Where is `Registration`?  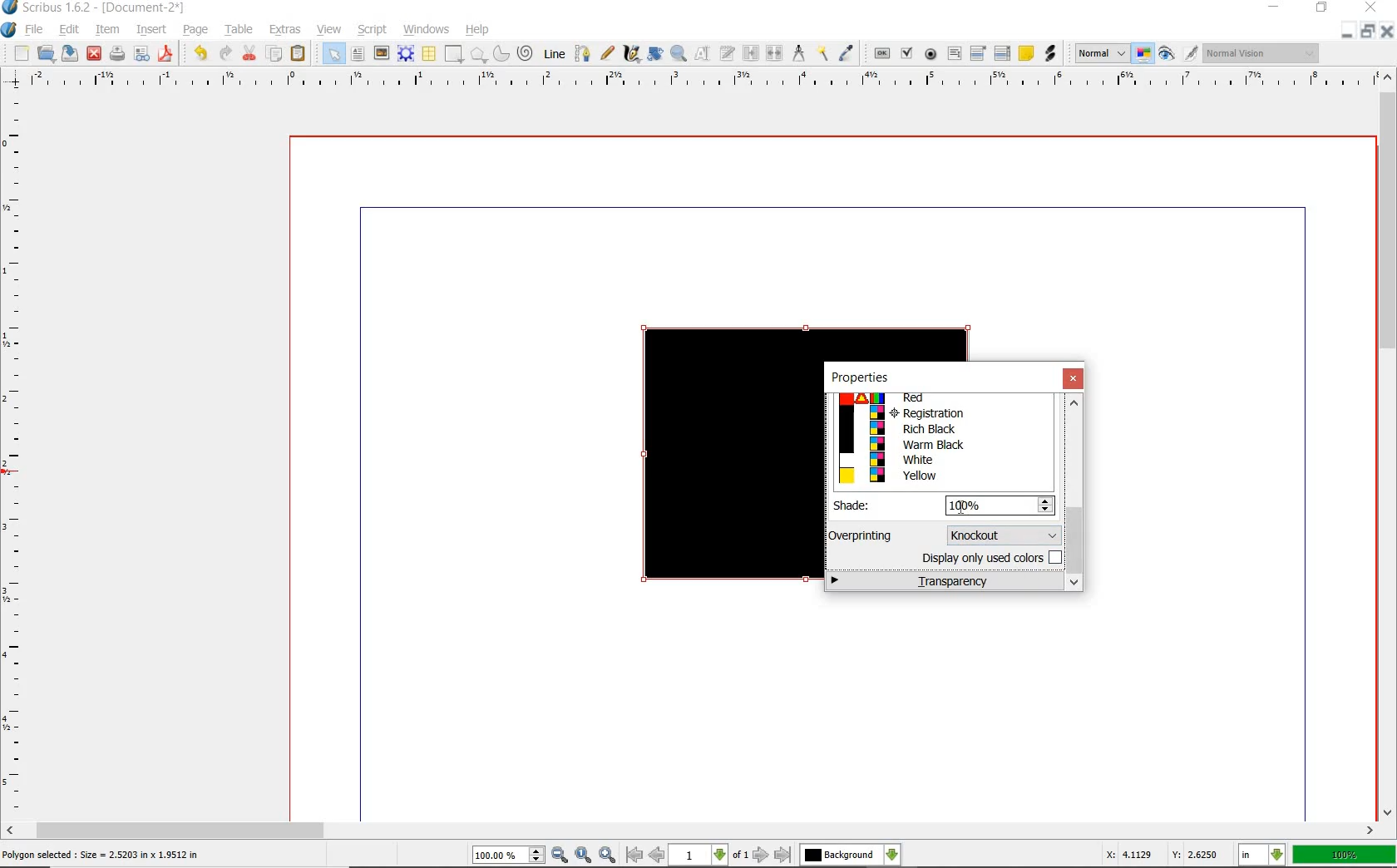
Registration is located at coordinates (941, 413).